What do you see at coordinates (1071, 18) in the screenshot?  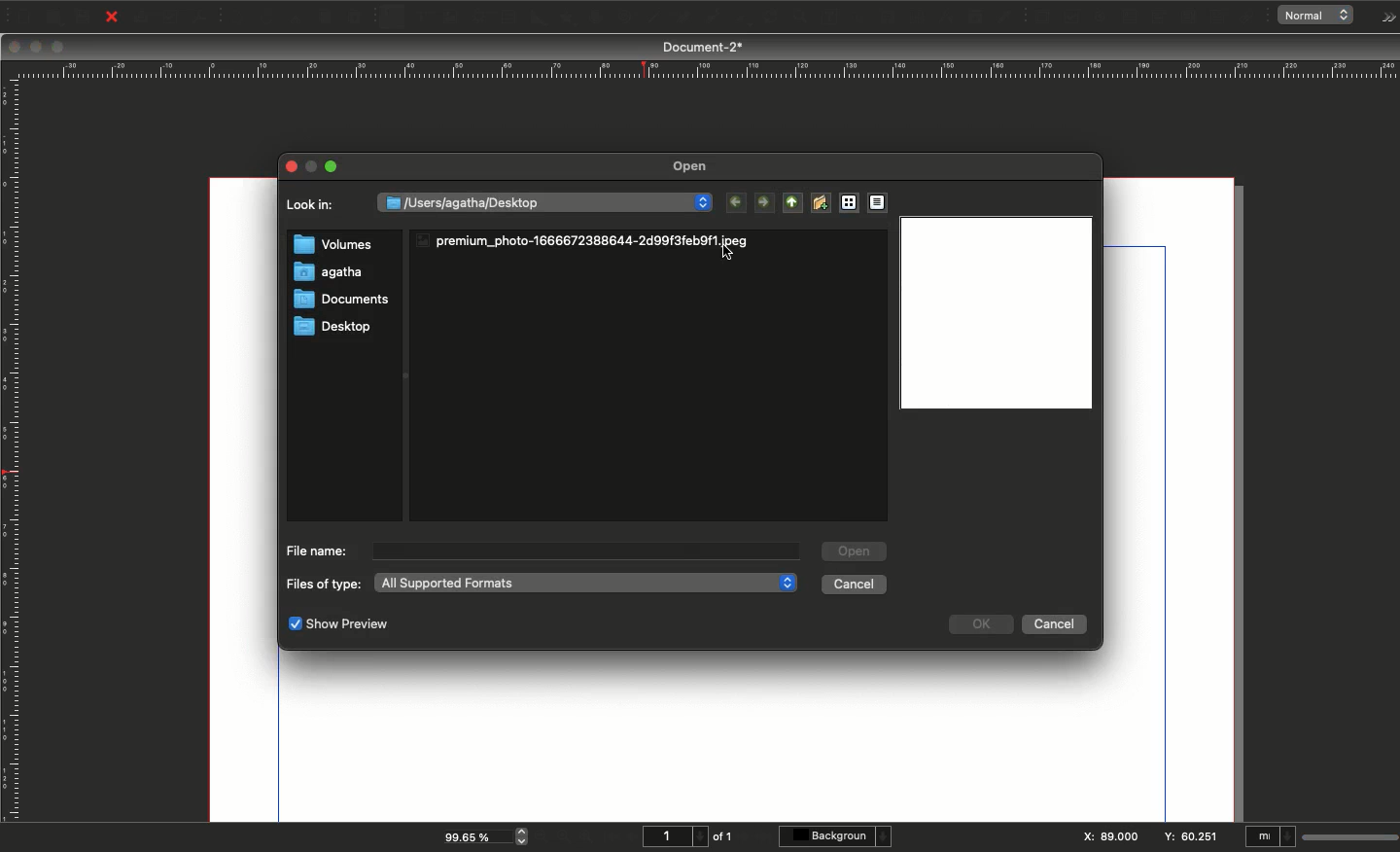 I see `PDF check box` at bounding box center [1071, 18].